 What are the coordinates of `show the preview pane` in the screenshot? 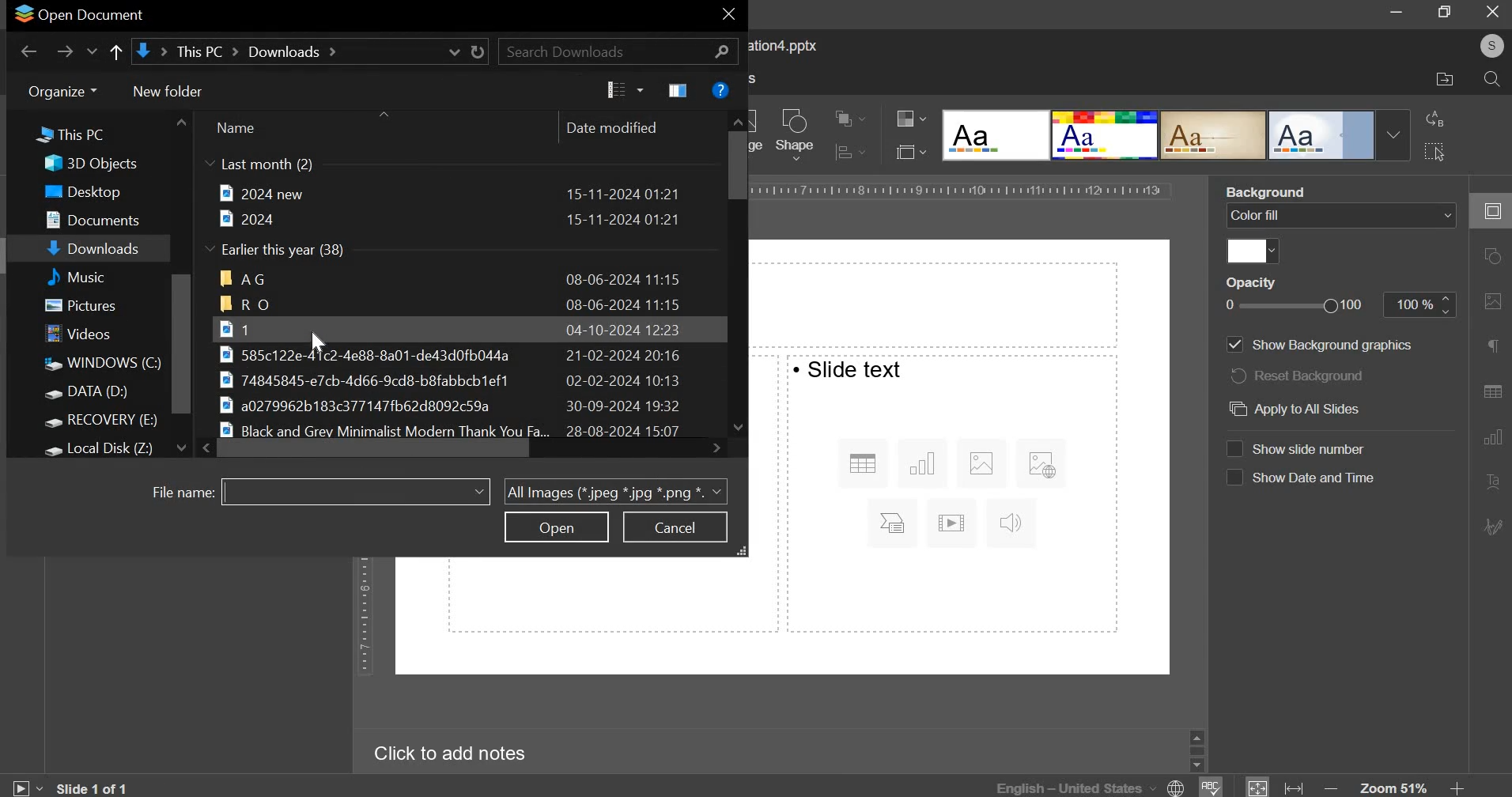 It's located at (678, 90).